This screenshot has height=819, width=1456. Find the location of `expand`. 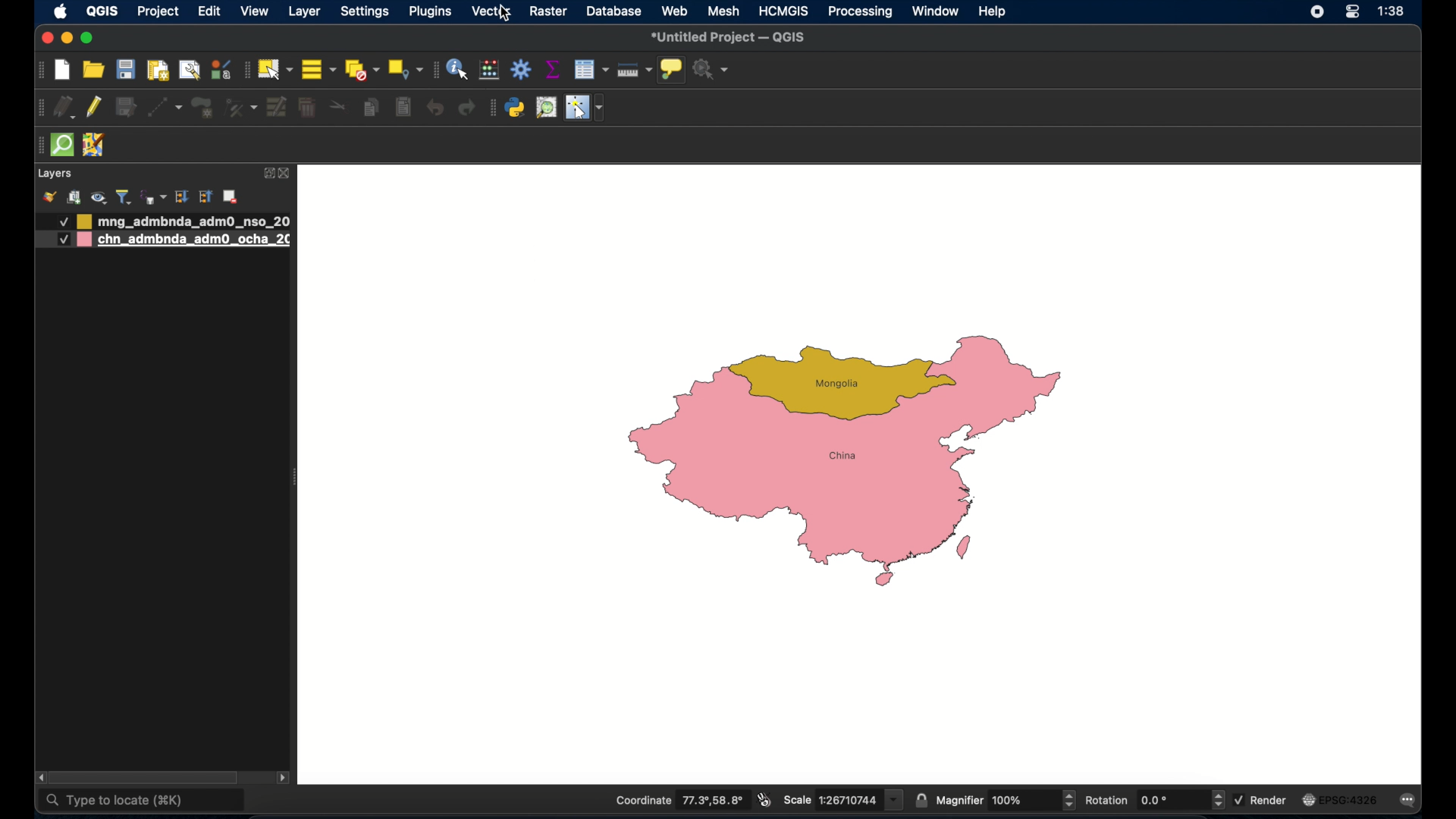

expand is located at coordinates (266, 173).